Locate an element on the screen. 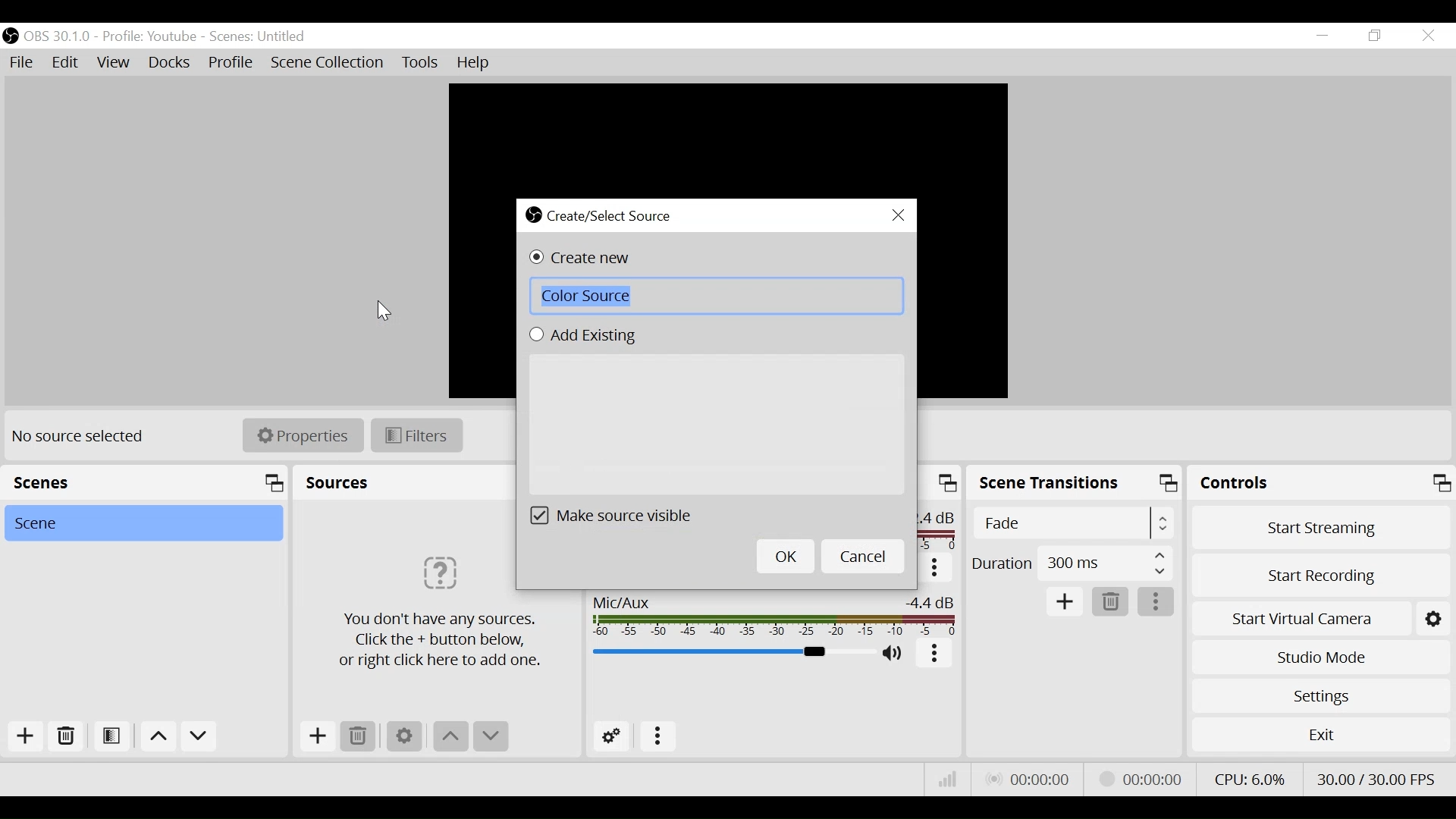  Start Streaming is located at coordinates (1321, 531).